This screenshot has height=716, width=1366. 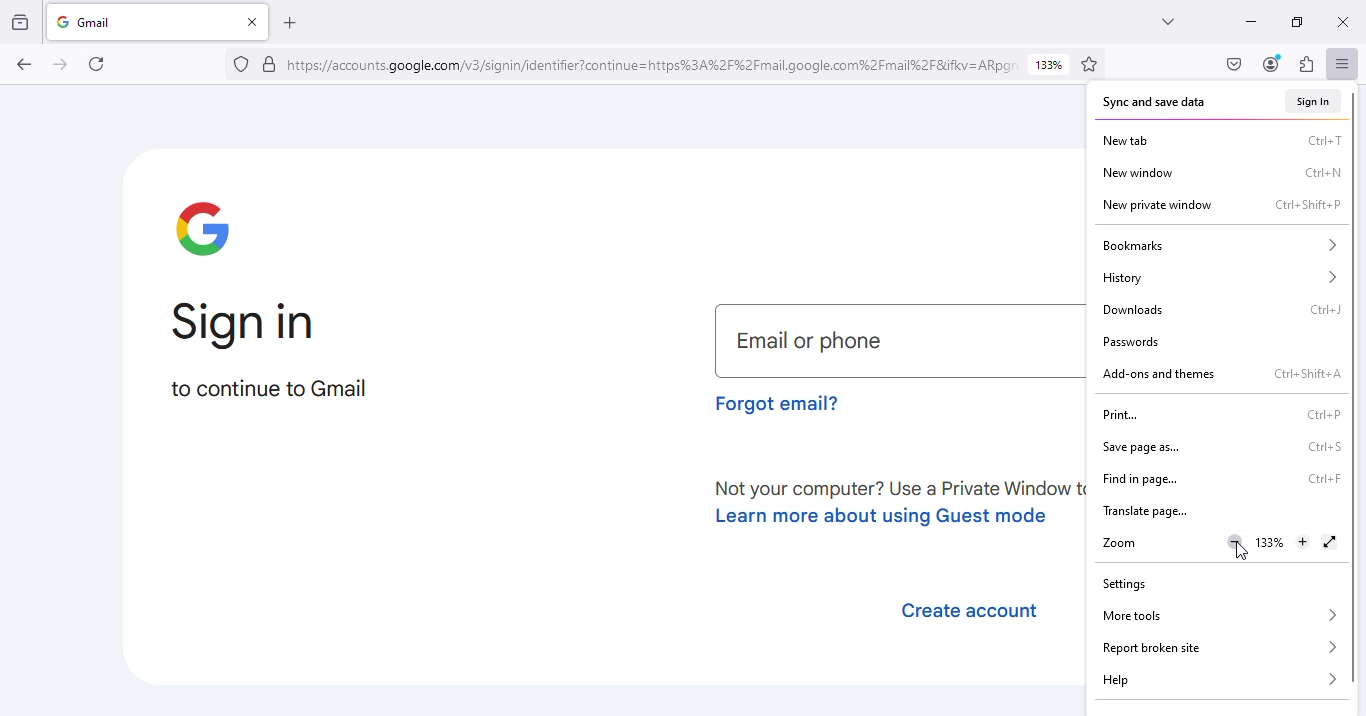 I want to click on sign in, so click(x=1313, y=102).